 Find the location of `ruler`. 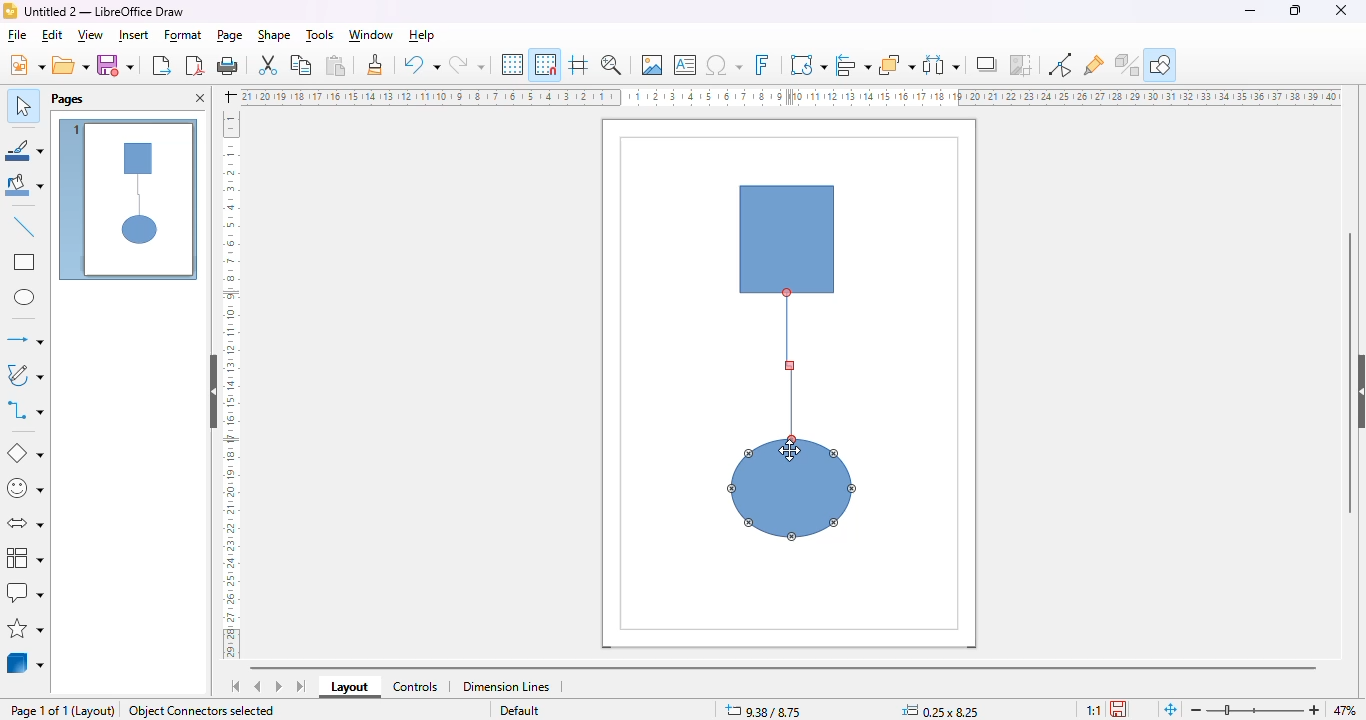

ruler is located at coordinates (791, 96).